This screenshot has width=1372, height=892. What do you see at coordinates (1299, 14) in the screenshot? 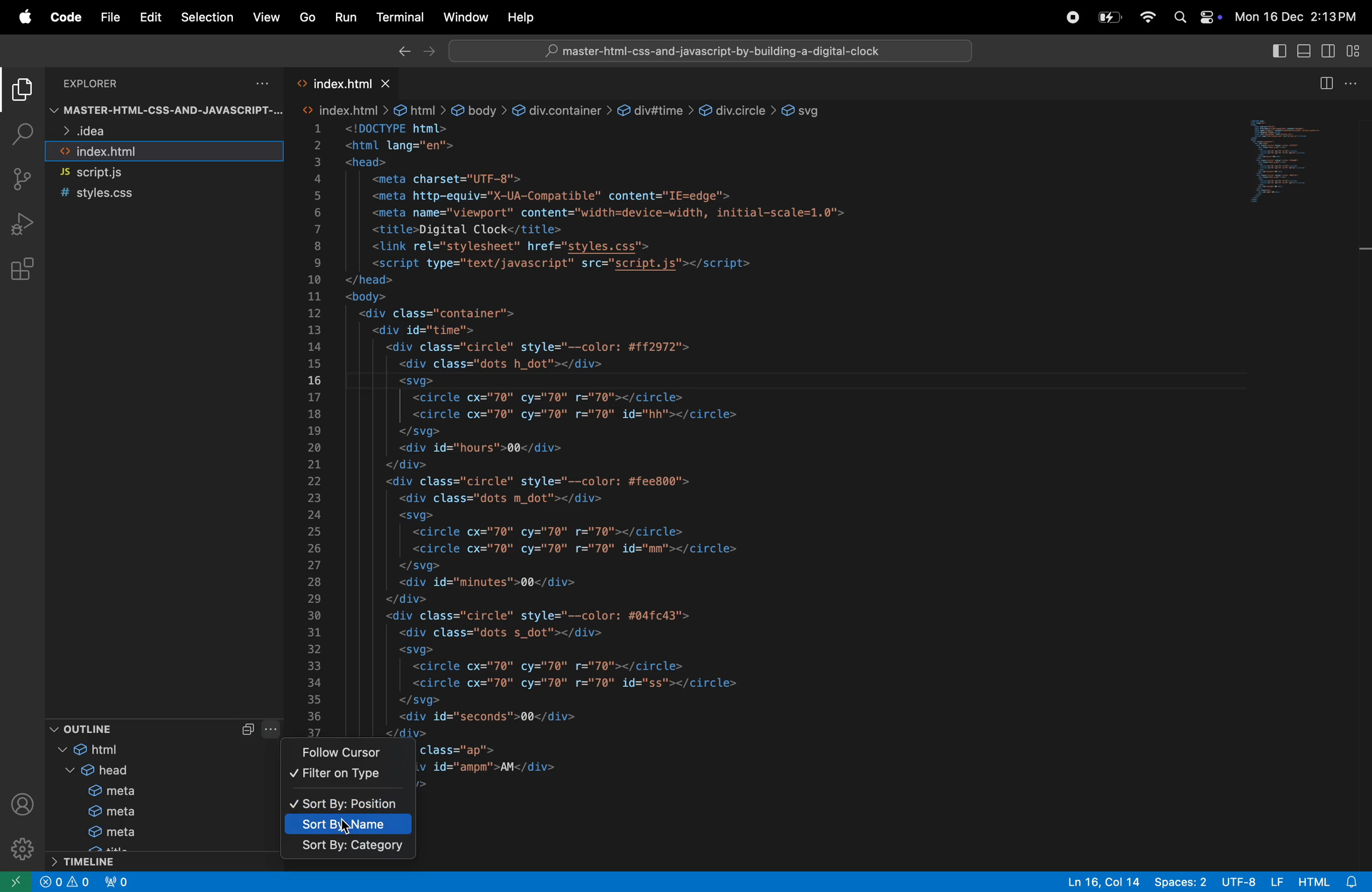
I see `Mon 16 Dec 2:13 PM` at bounding box center [1299, 14].